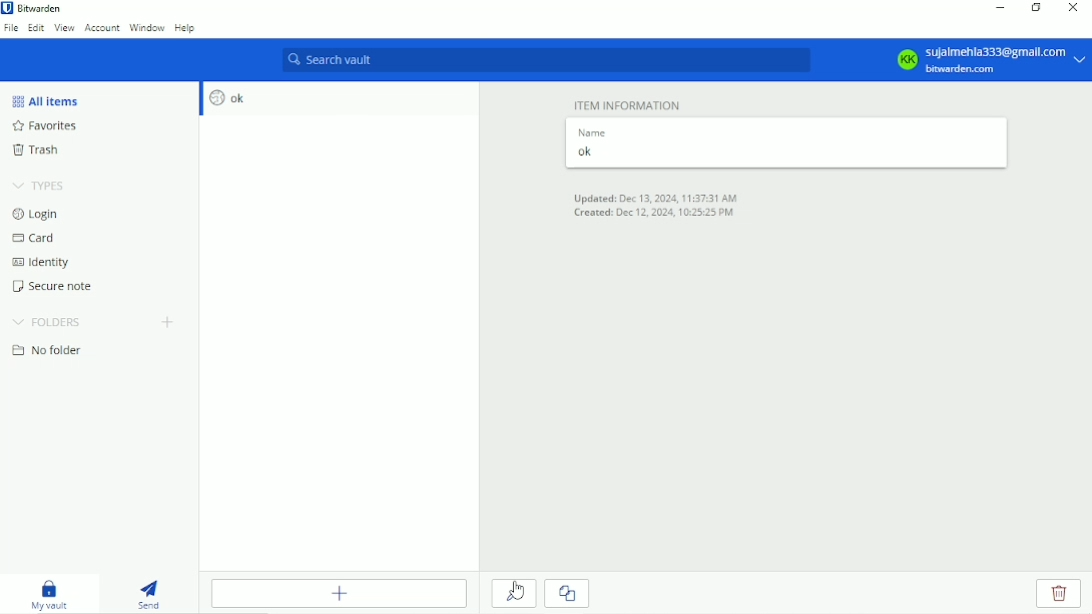 This screenshot has width=1092, height=614. I want to click on Edit, so click(513, 592).